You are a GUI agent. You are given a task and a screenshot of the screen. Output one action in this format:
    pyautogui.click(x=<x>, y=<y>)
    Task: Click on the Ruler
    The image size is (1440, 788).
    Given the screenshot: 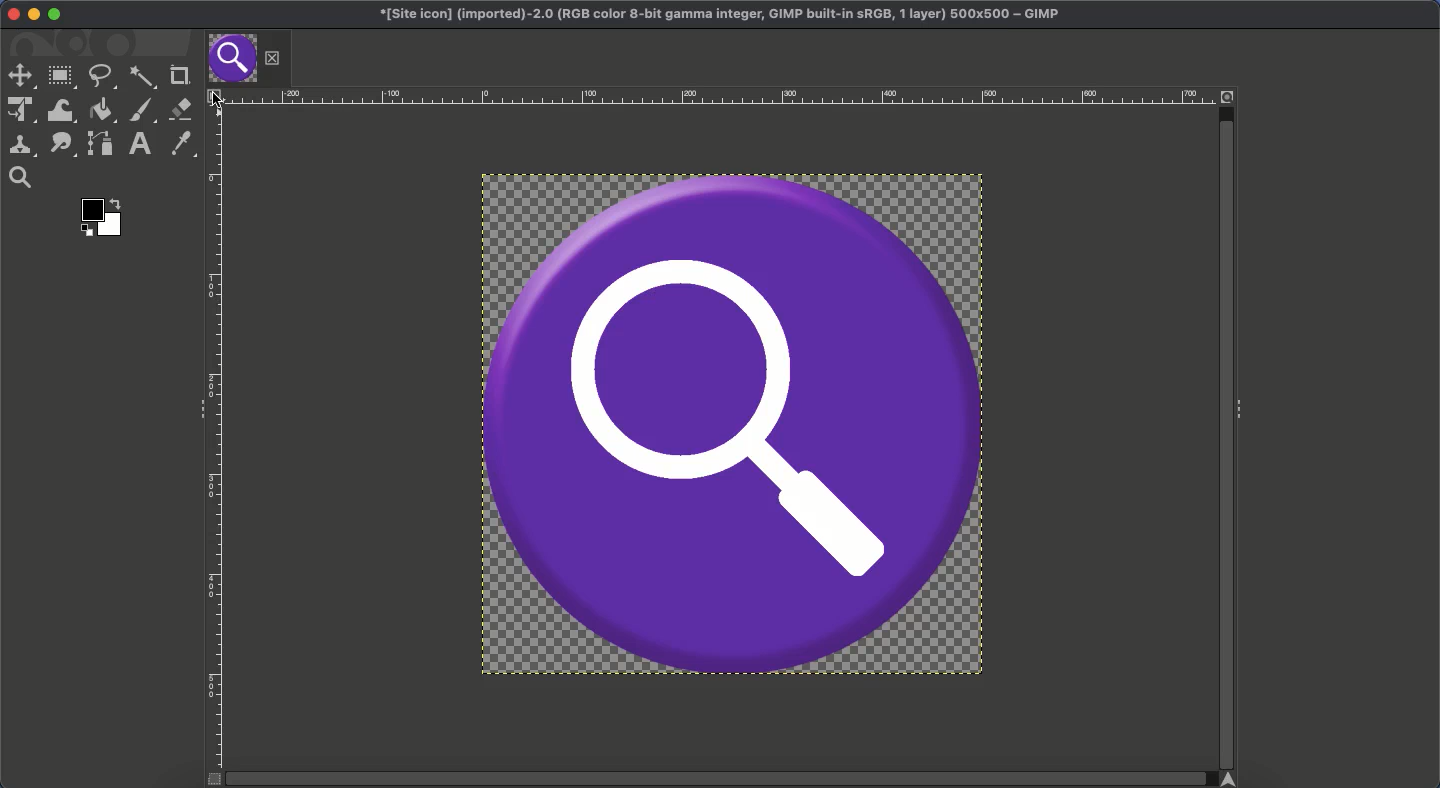 What is the action you would take?
    pyautogui.click(x=724, y=96)
    